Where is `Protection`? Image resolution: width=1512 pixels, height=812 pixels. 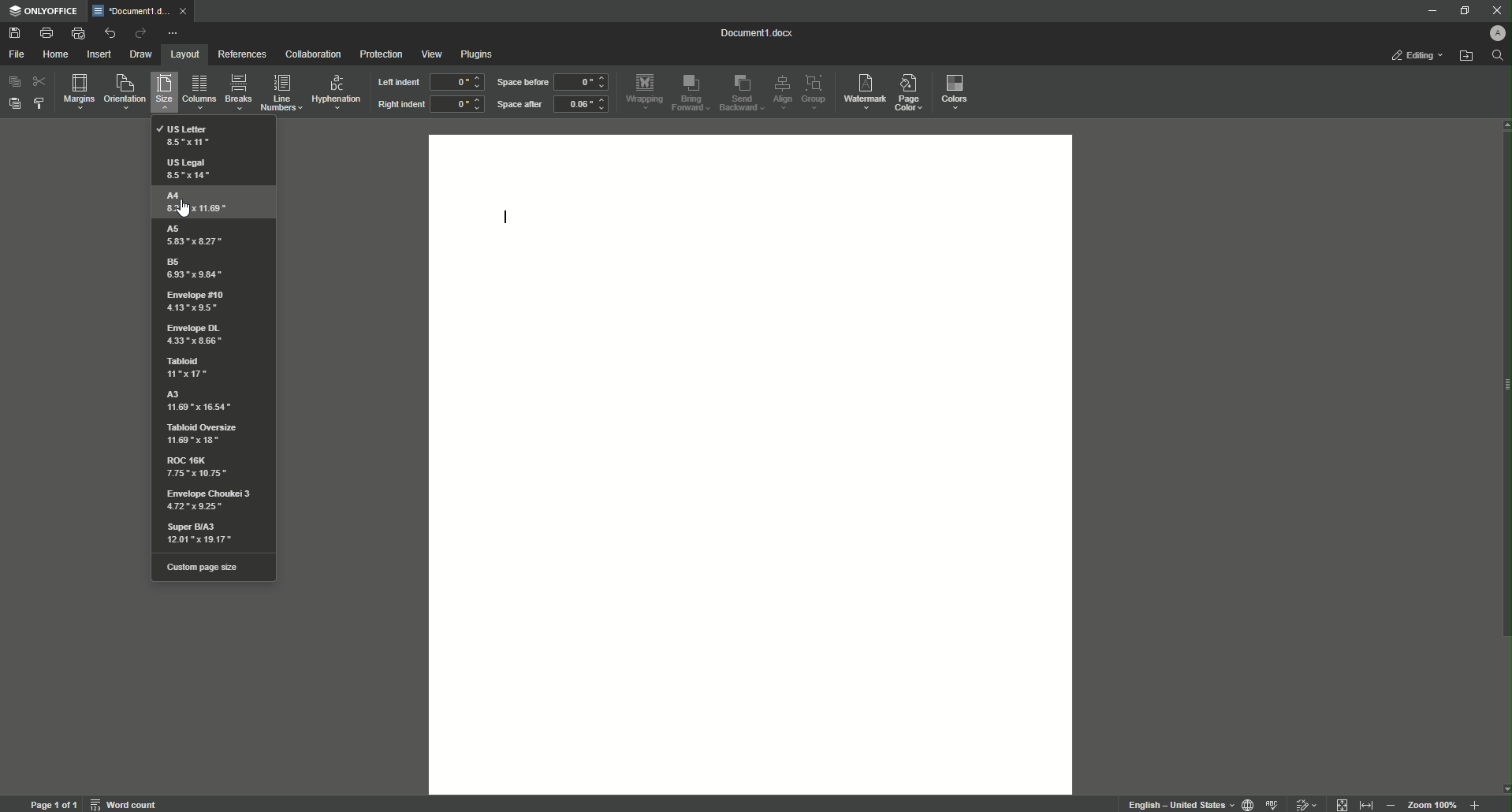 Protection is located at coordinates (377, 54).